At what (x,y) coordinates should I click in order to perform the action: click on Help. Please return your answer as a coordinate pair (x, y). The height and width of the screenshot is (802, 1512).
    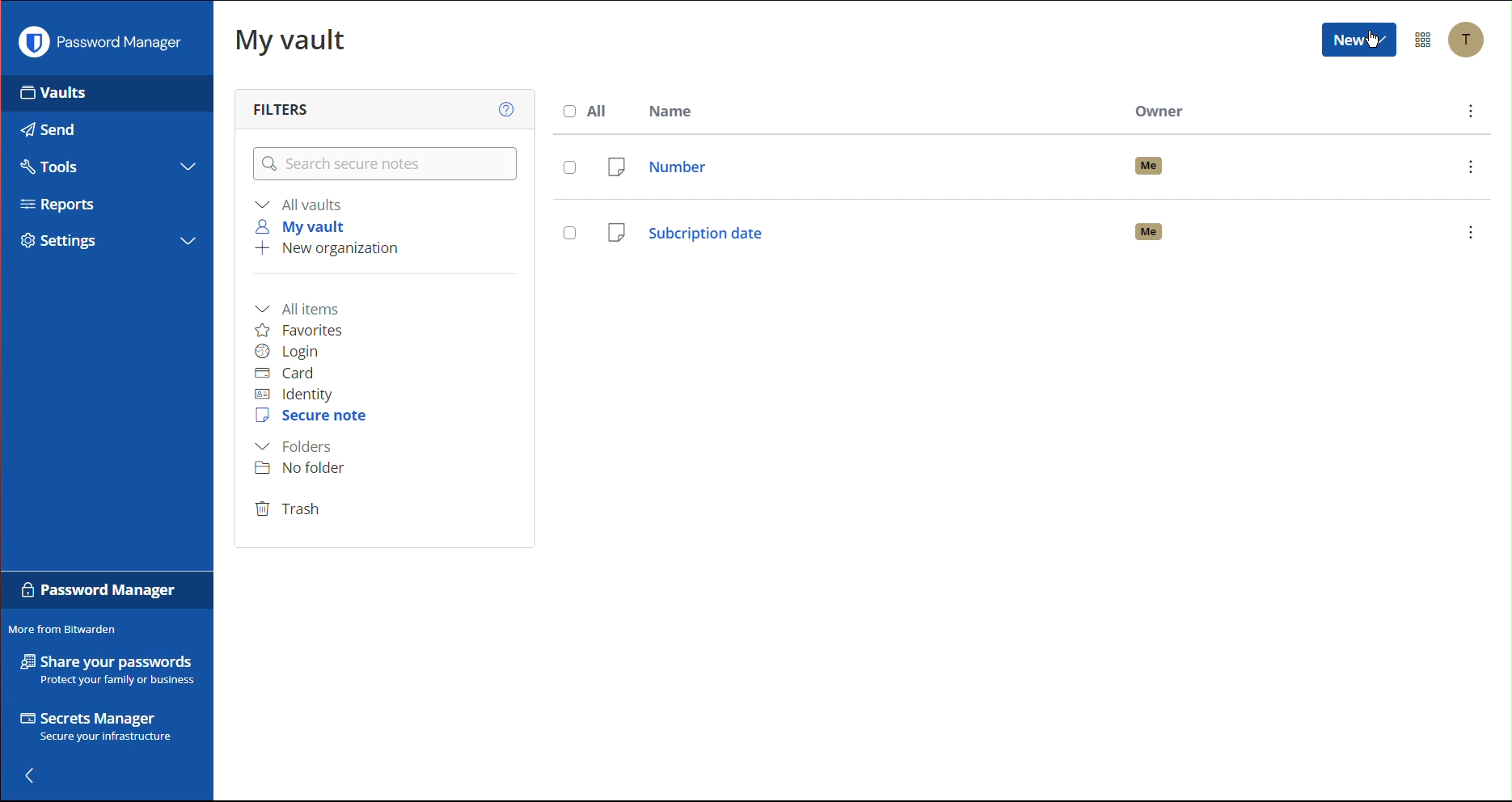
    Looking at the image, I should click on (502, 108).